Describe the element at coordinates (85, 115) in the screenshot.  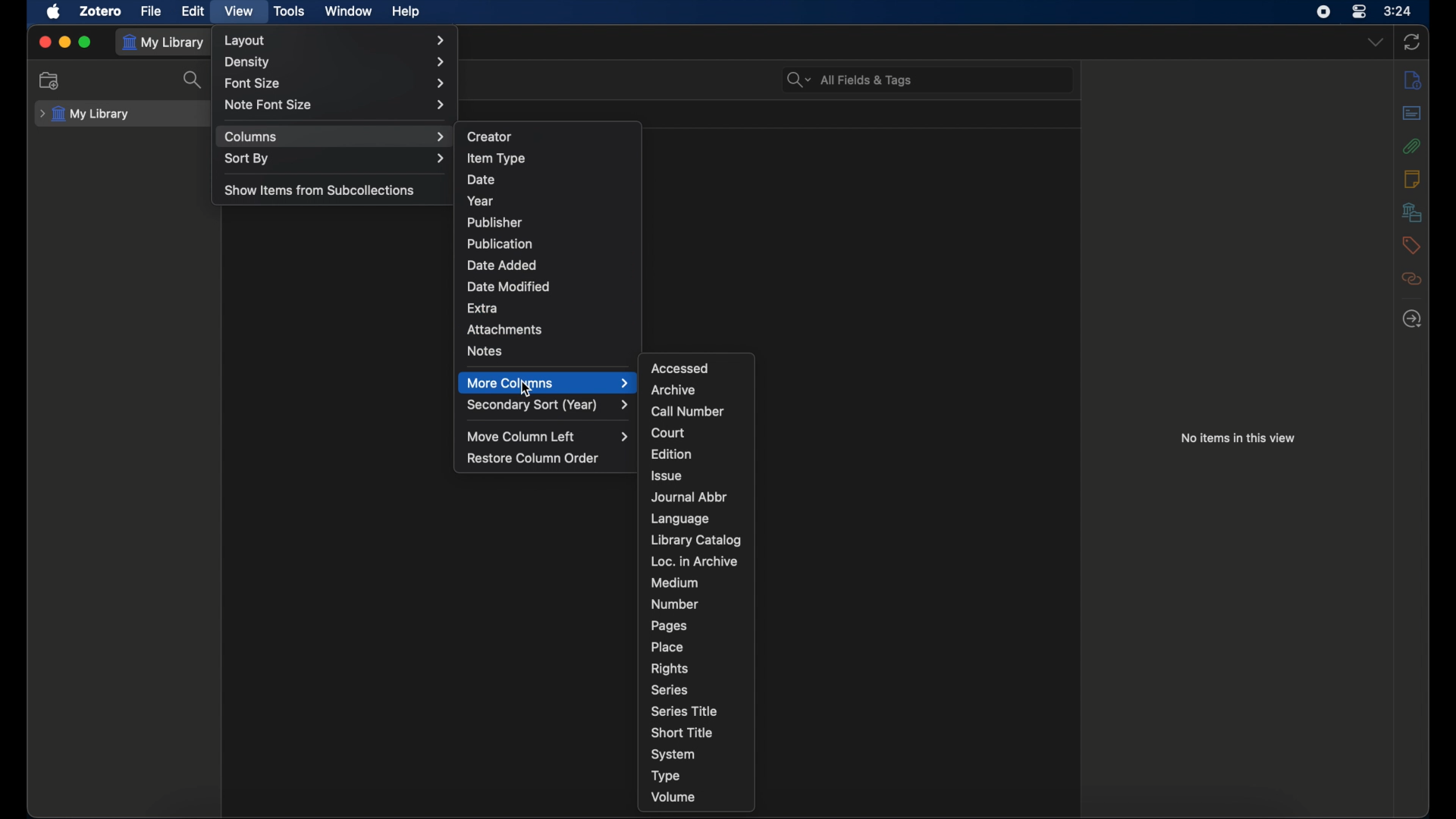
I see `my library` at that location.